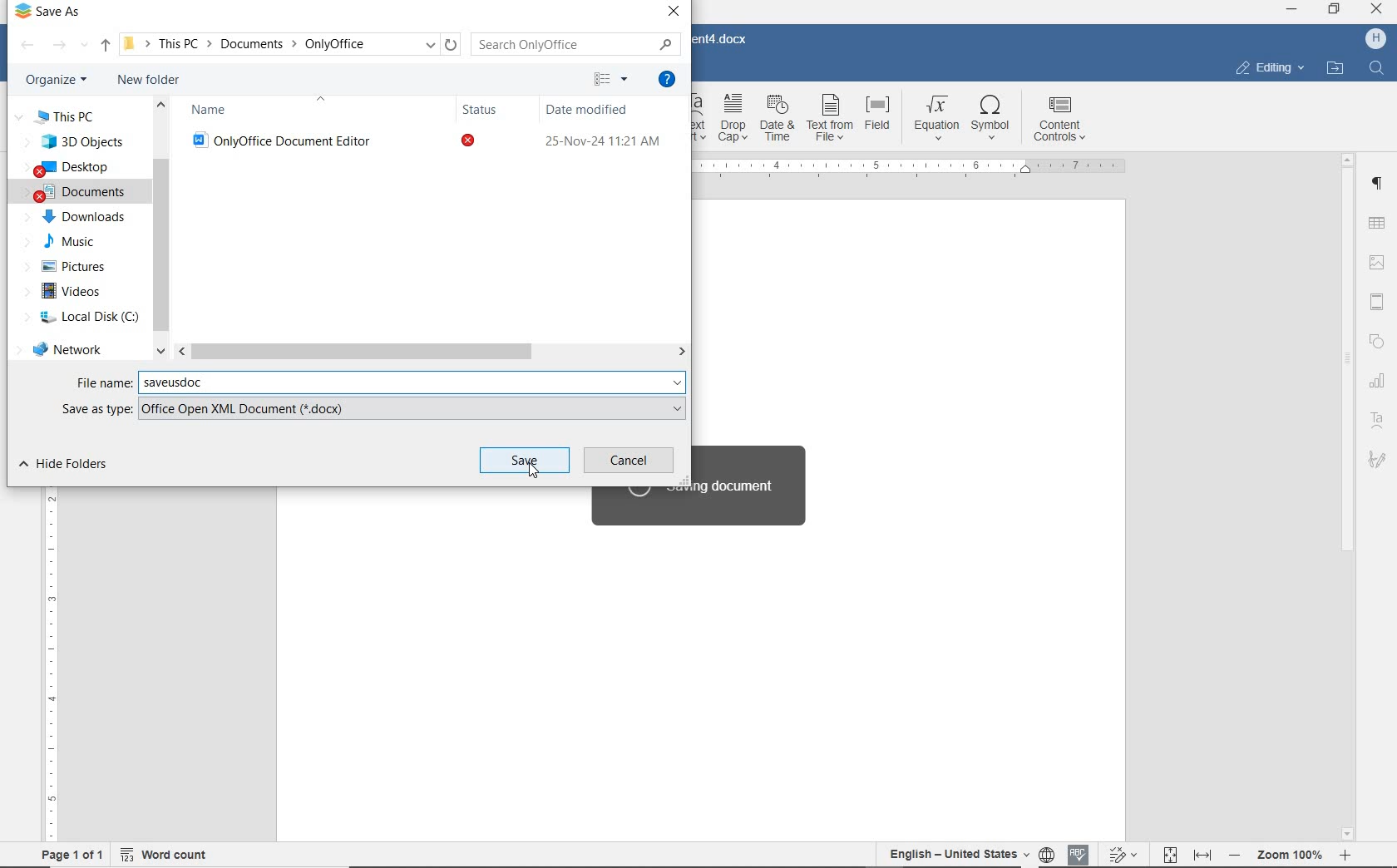 The image size is (1397, 868). Describe the element at coordinates (71, 166) in the screenshot. I see `DESKTOP` at that location.